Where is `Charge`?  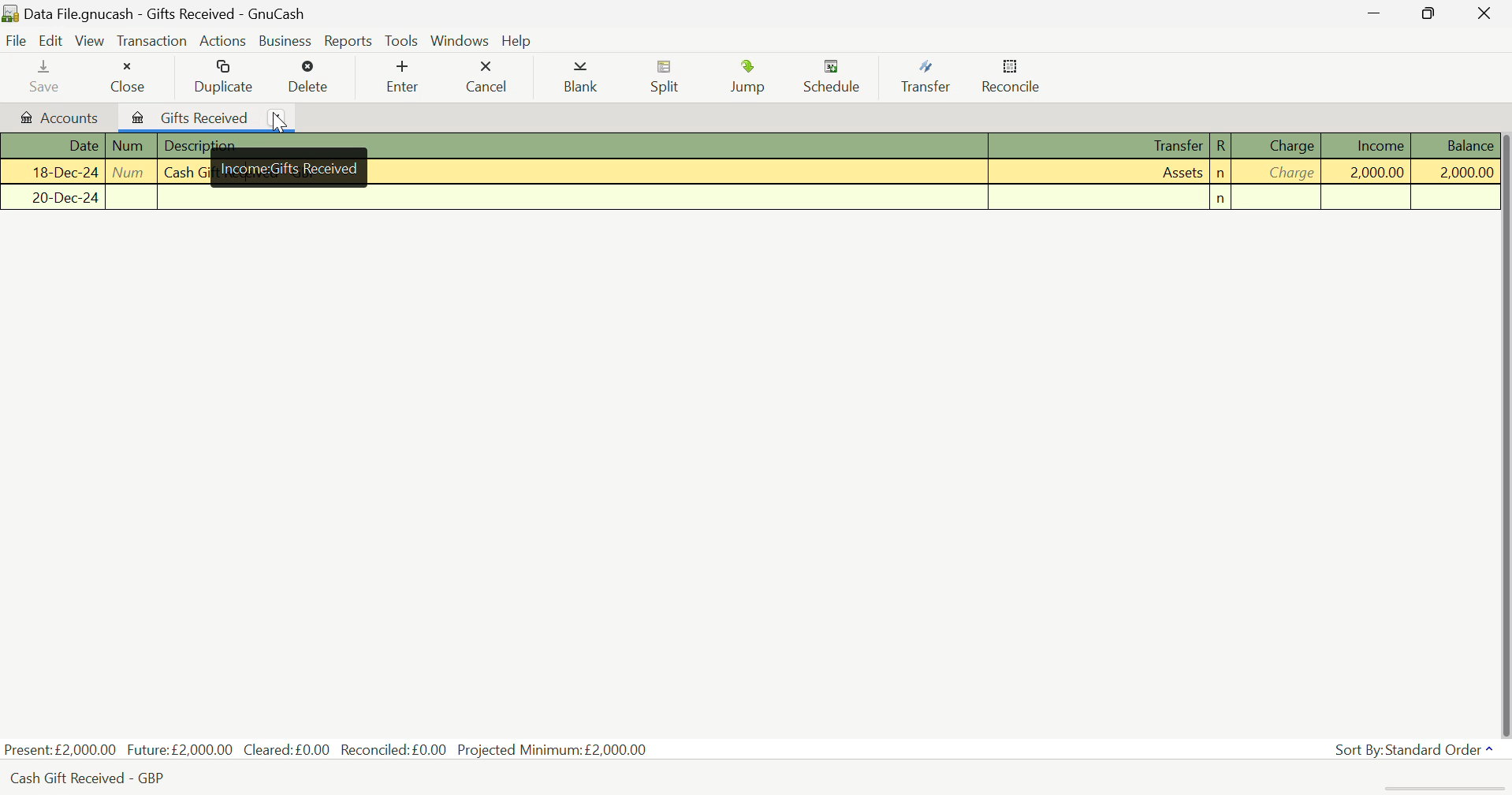
Charge is located at coordinates (1278, 145).